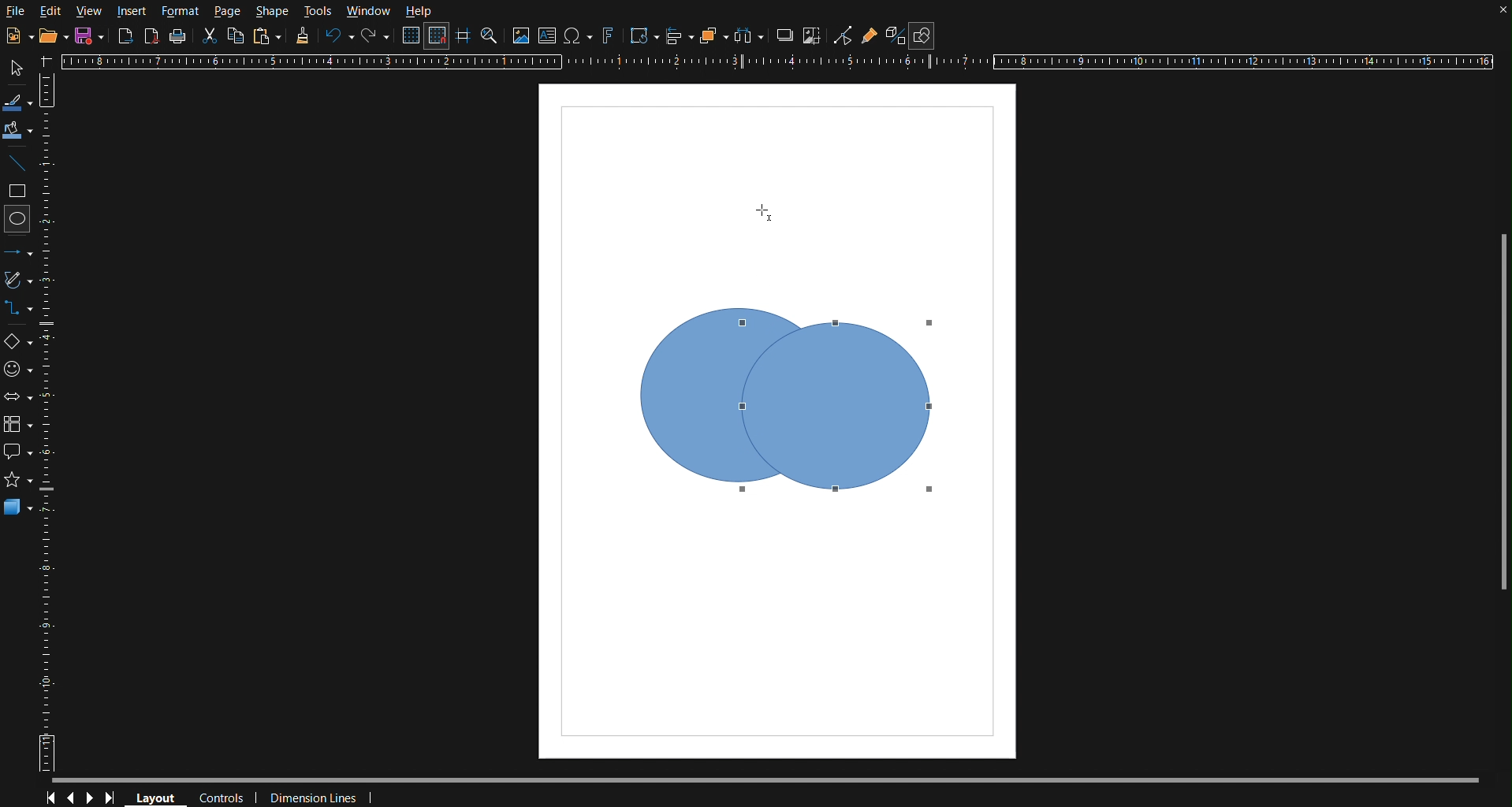 Image resolution: width=1512 pixels, height=807 pixels. Describe the element at coordinates (19, 192) in the screenshot. I see `Square` at that location.